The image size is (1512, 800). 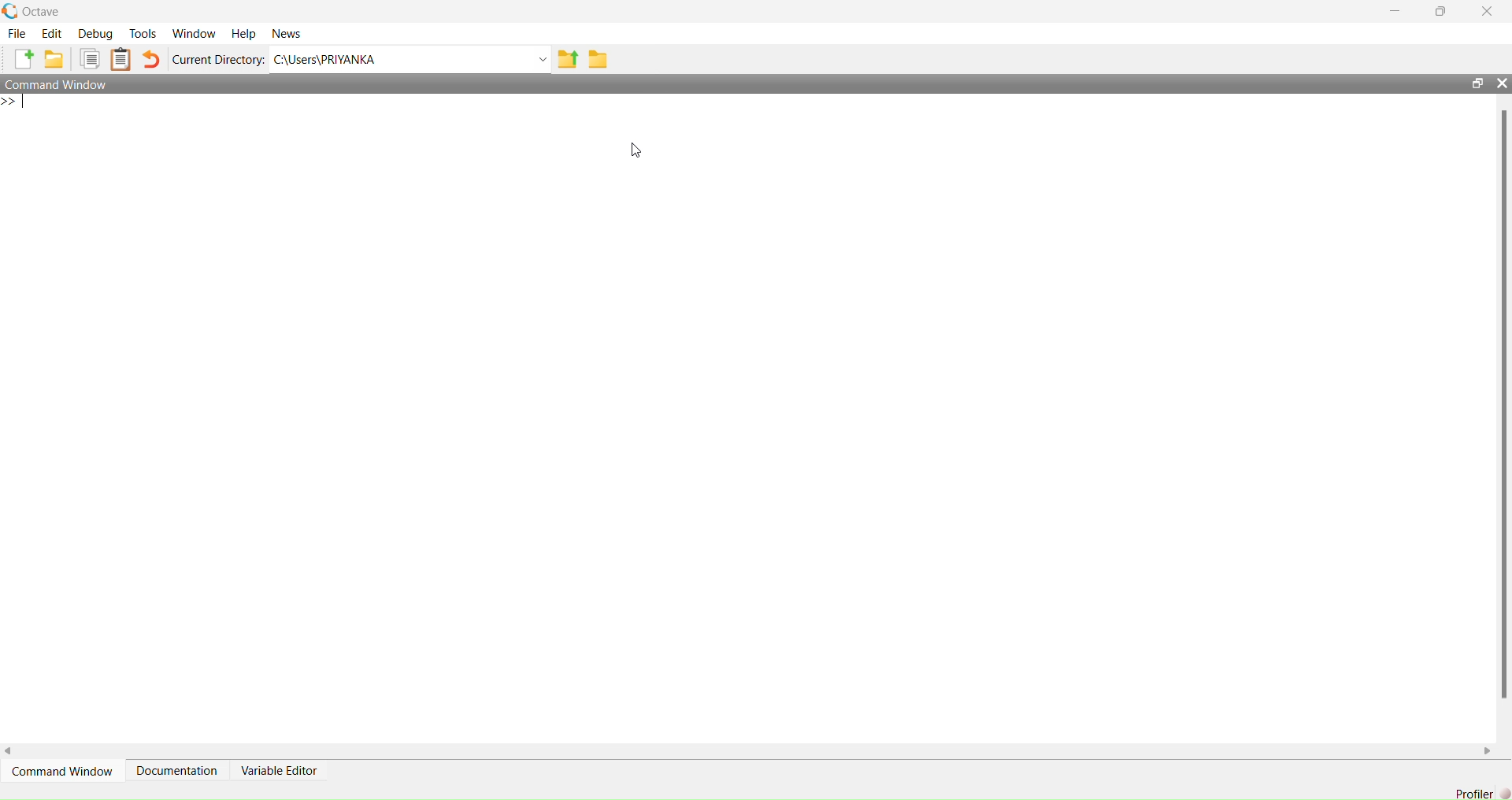 I want to click on News, so click(x=287, y=33).